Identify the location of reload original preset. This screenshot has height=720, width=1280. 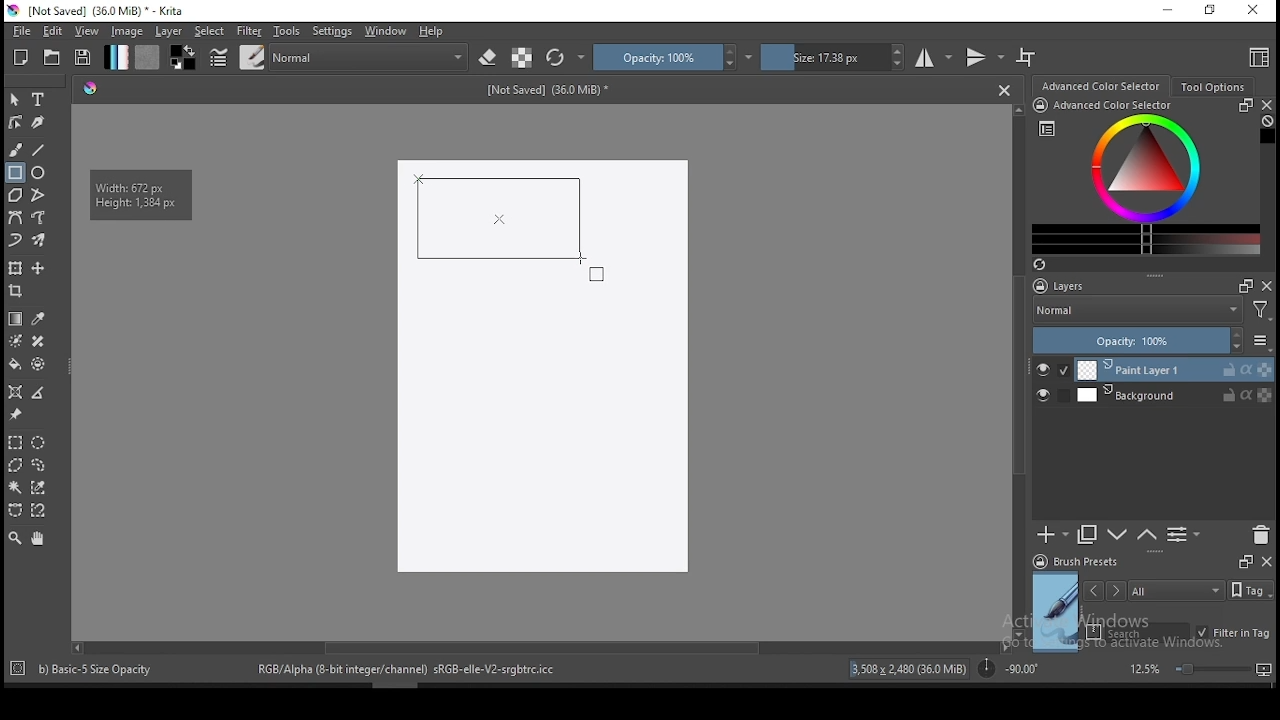
(566, 57).